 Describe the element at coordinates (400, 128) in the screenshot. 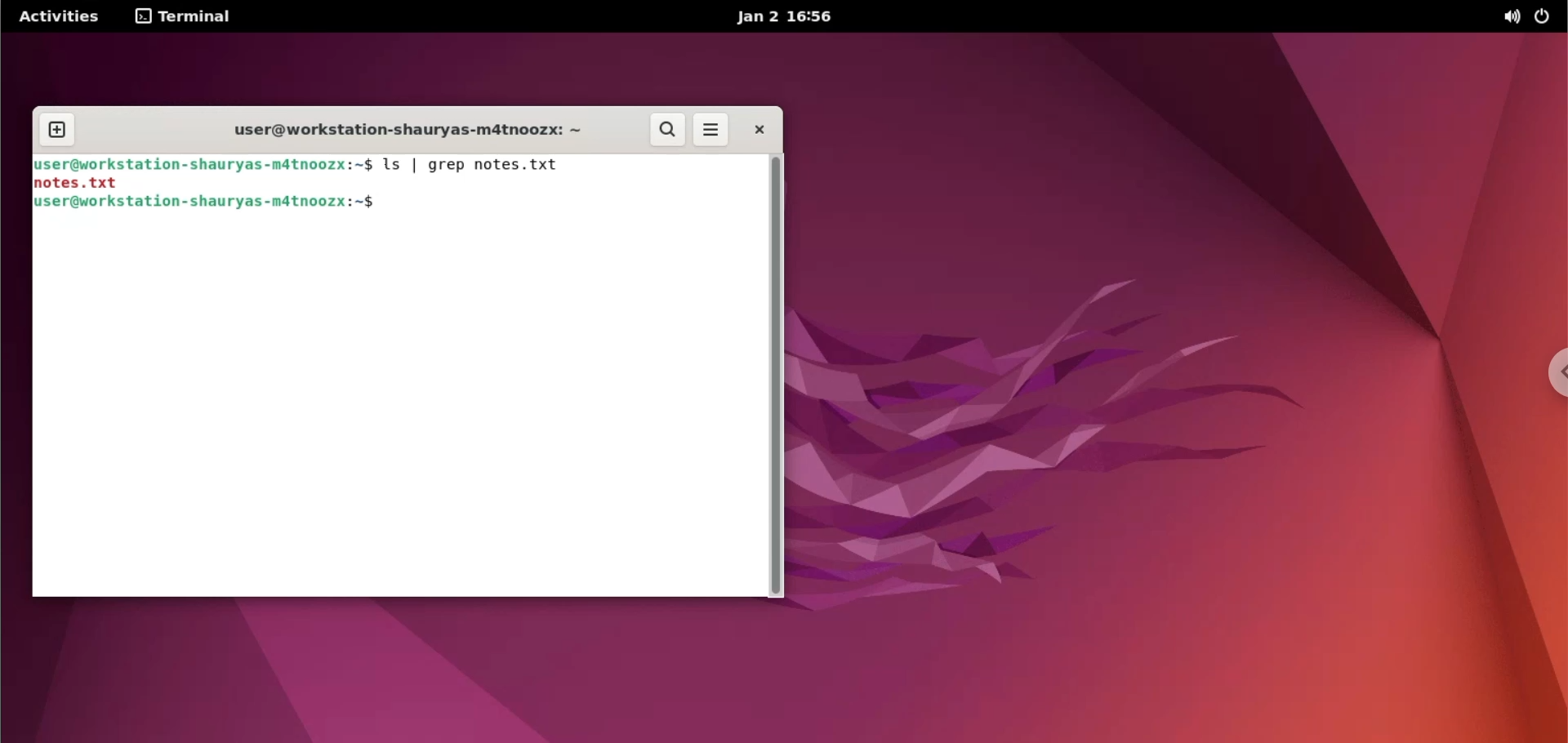

I see `user@workstation-shauryas-m4tnoozx: ~` at that location.